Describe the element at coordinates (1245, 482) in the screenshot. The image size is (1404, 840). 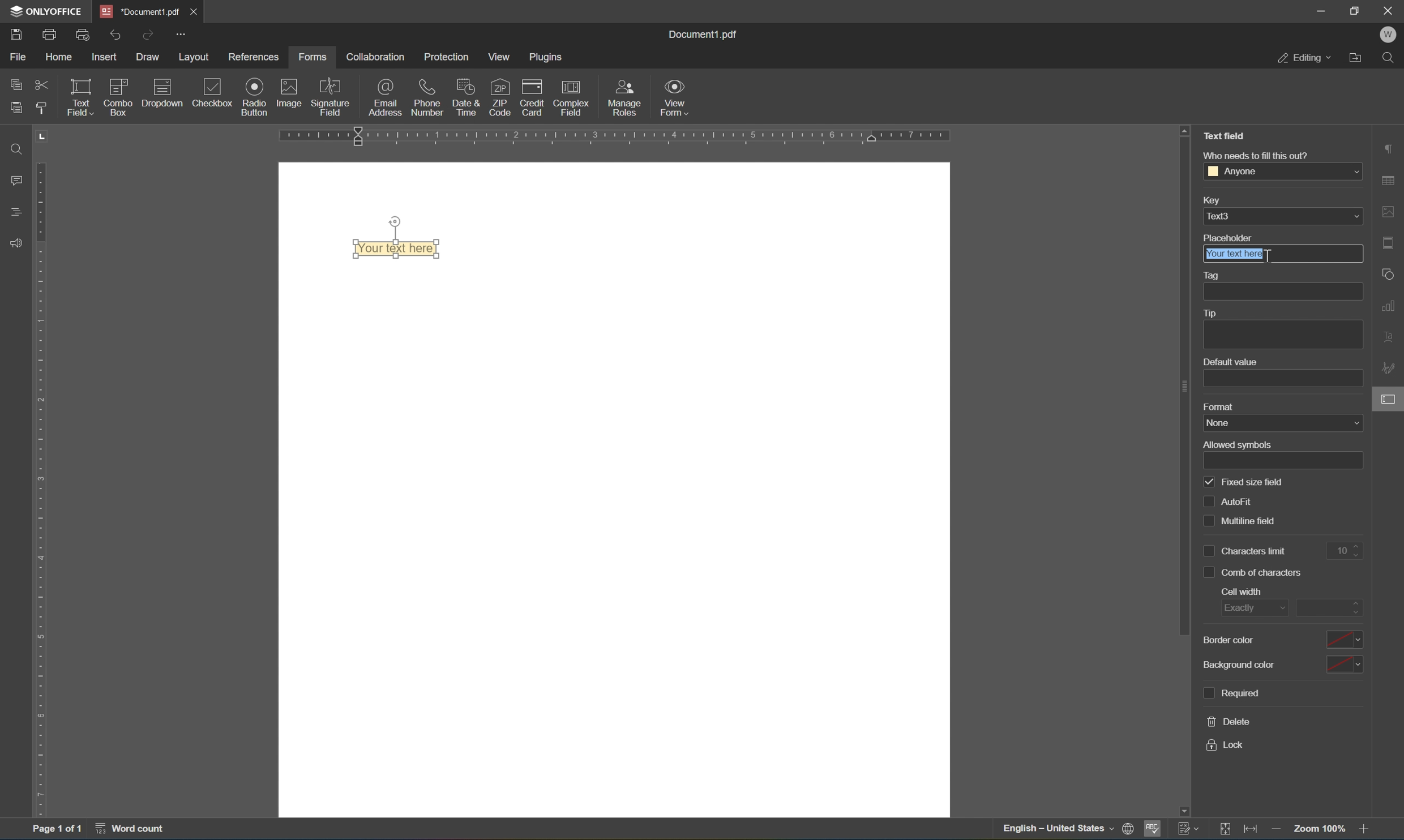
I see `fixed size field` at that location.